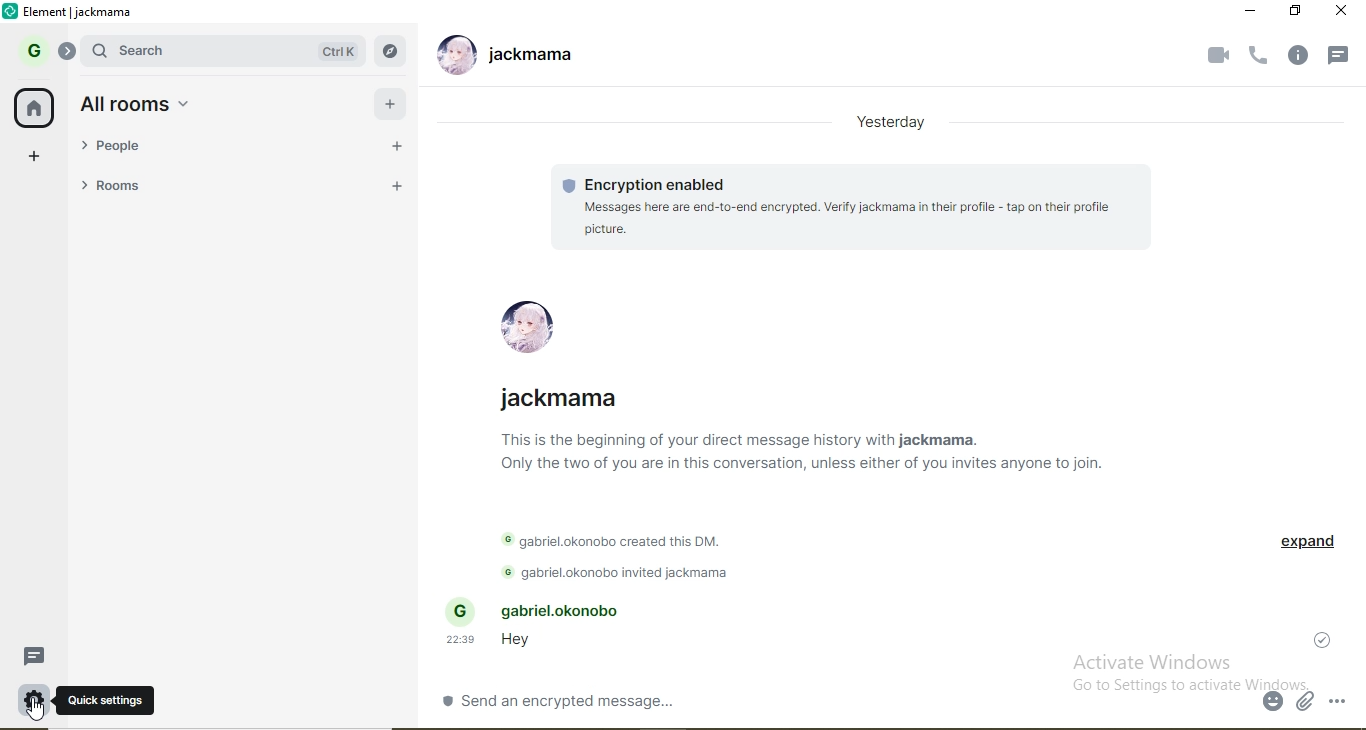 Image resolution: width=1366 pixels, height=730 pixels. What do you see at coordinates (12, 12) in the screenshot?
I see `logo` at bounding box center [12, 12].